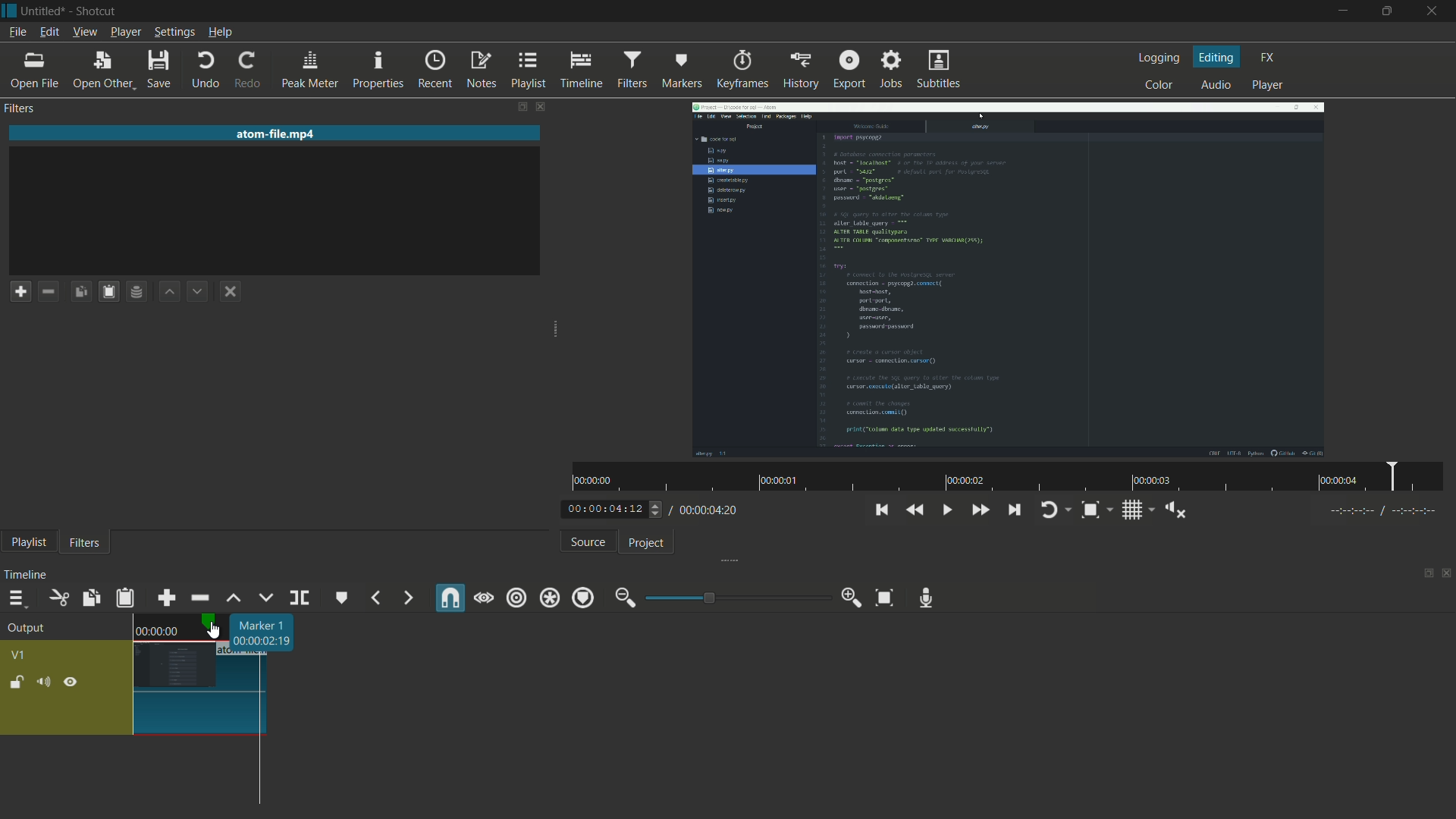 Image resolution: width=1456 pixels, height=819 pixels. I want to click on ripple delete, so click(198, 598).